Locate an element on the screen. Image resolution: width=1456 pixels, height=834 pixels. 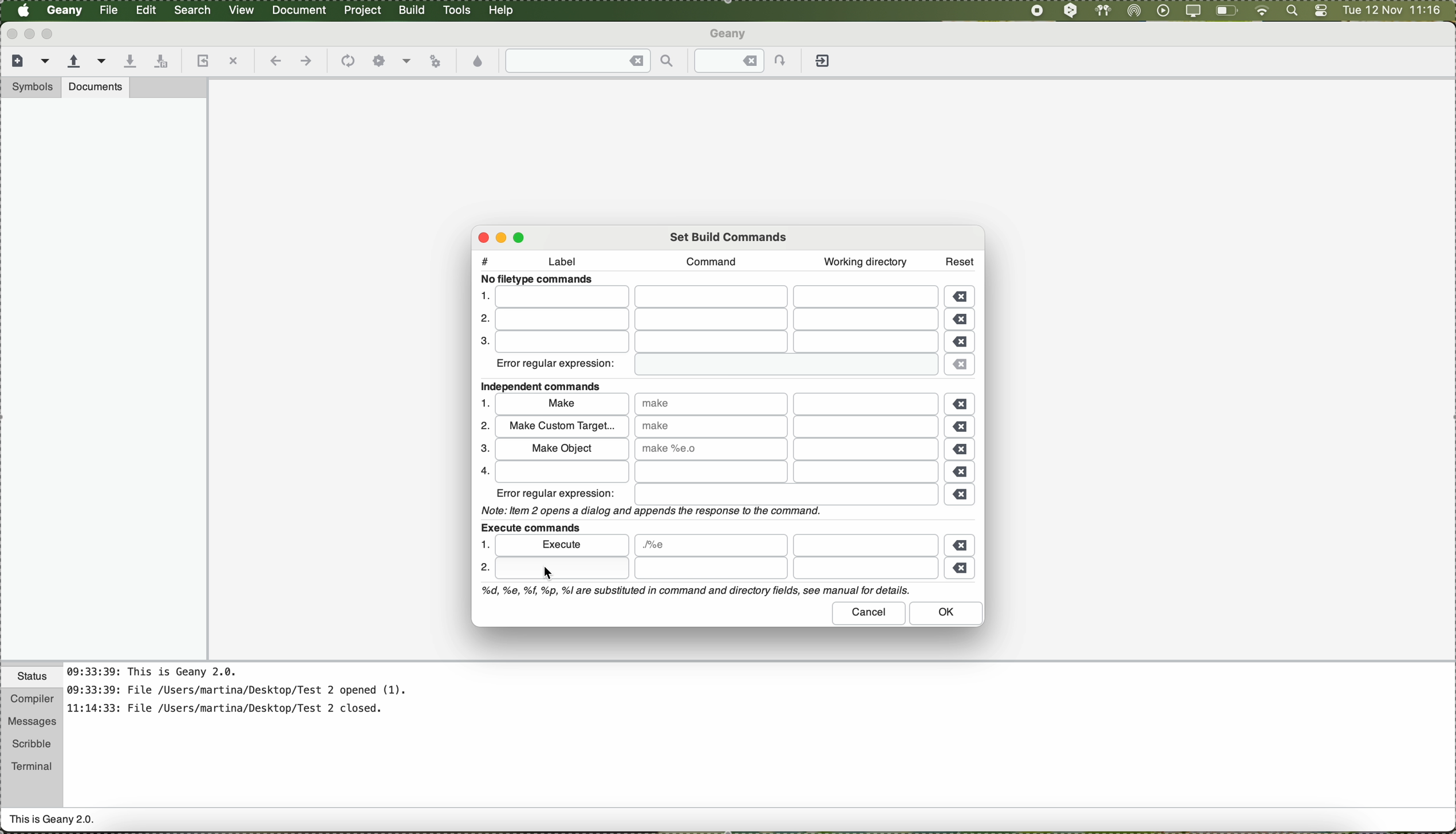
airdrop is located at coordinates (1134, 11).